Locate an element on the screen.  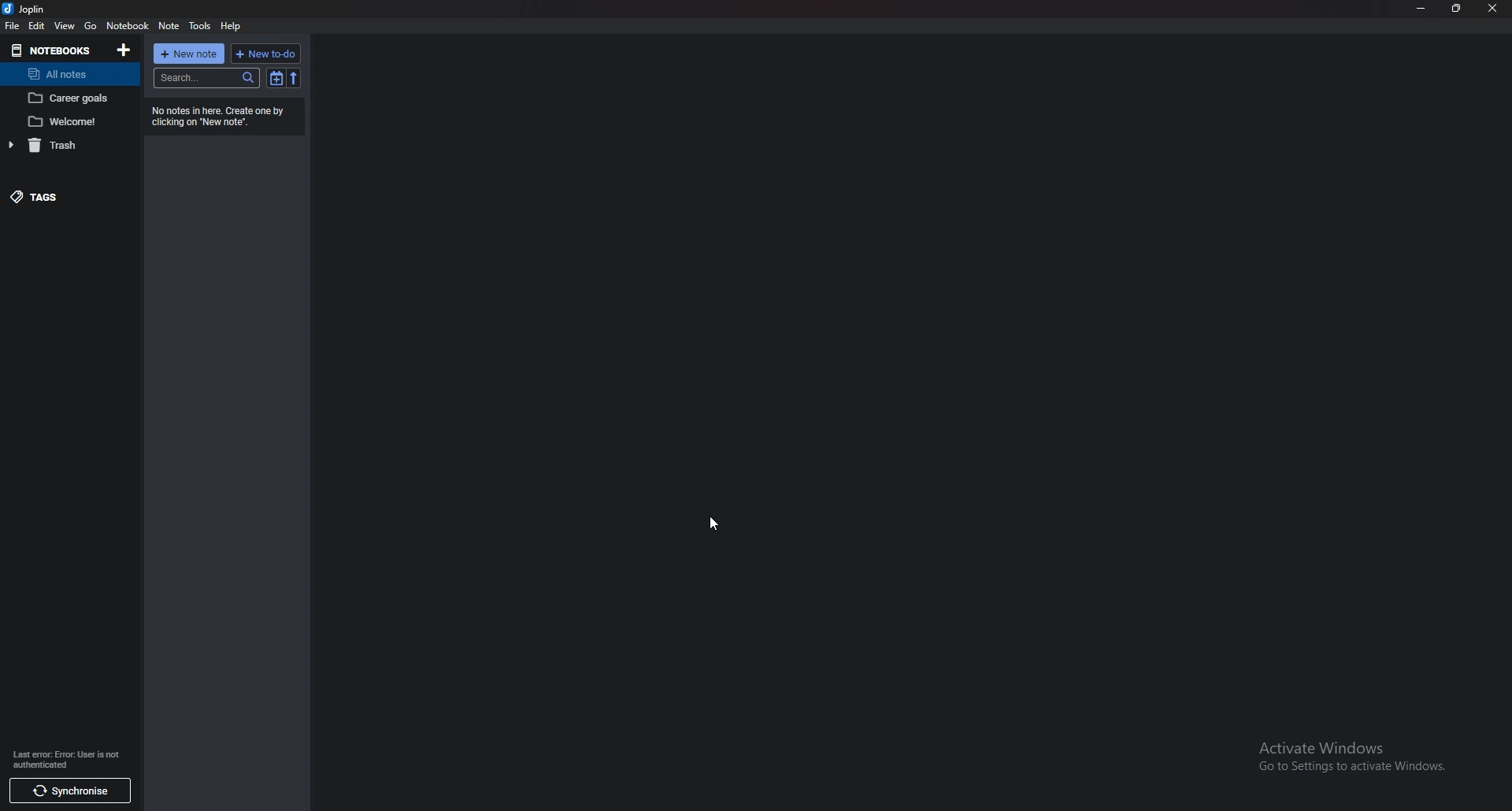
tags is located at coordinates (60, 198).